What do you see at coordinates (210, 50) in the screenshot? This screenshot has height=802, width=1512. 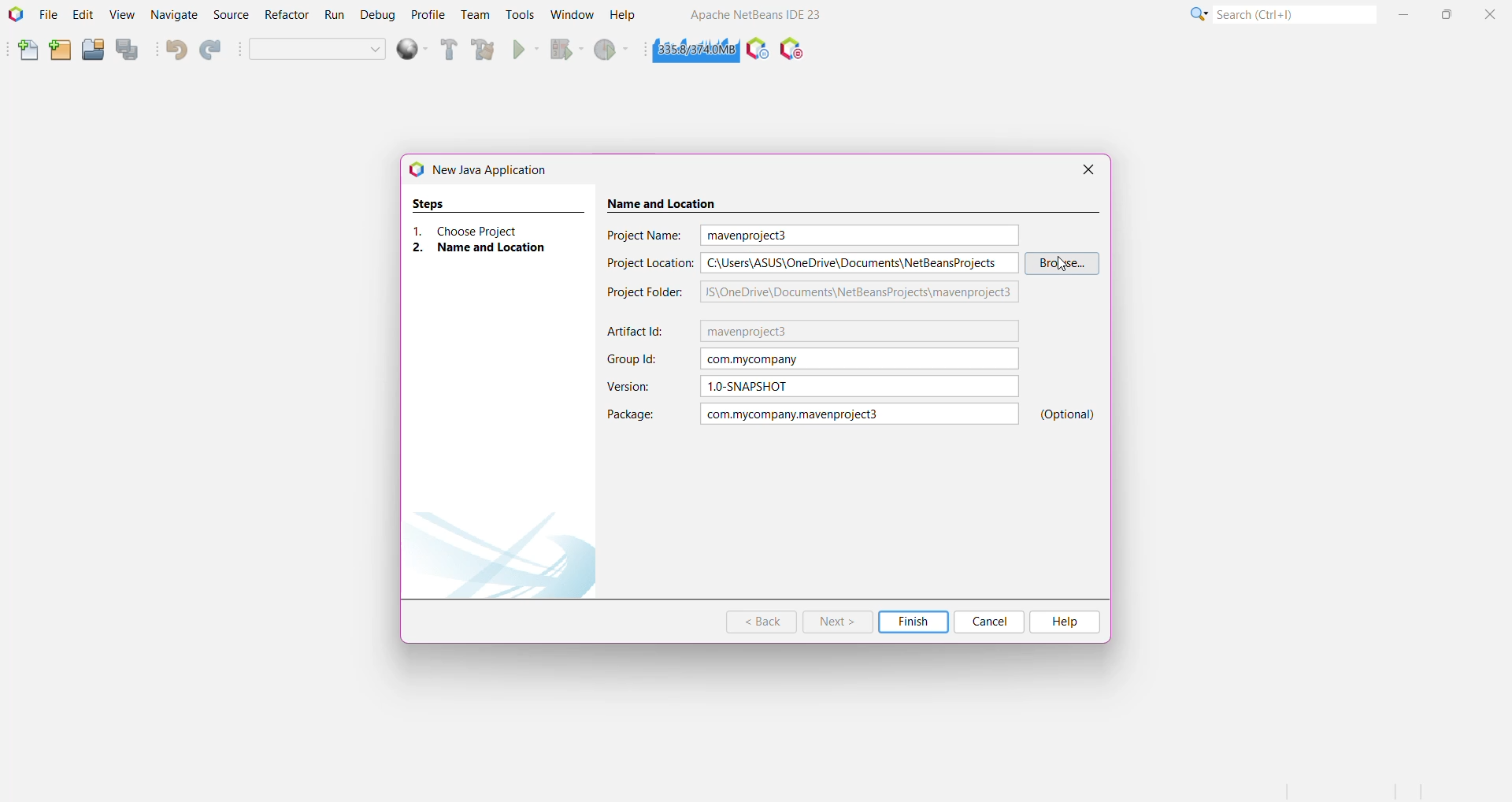 I see `Redo` at bounding box center [210, 50].